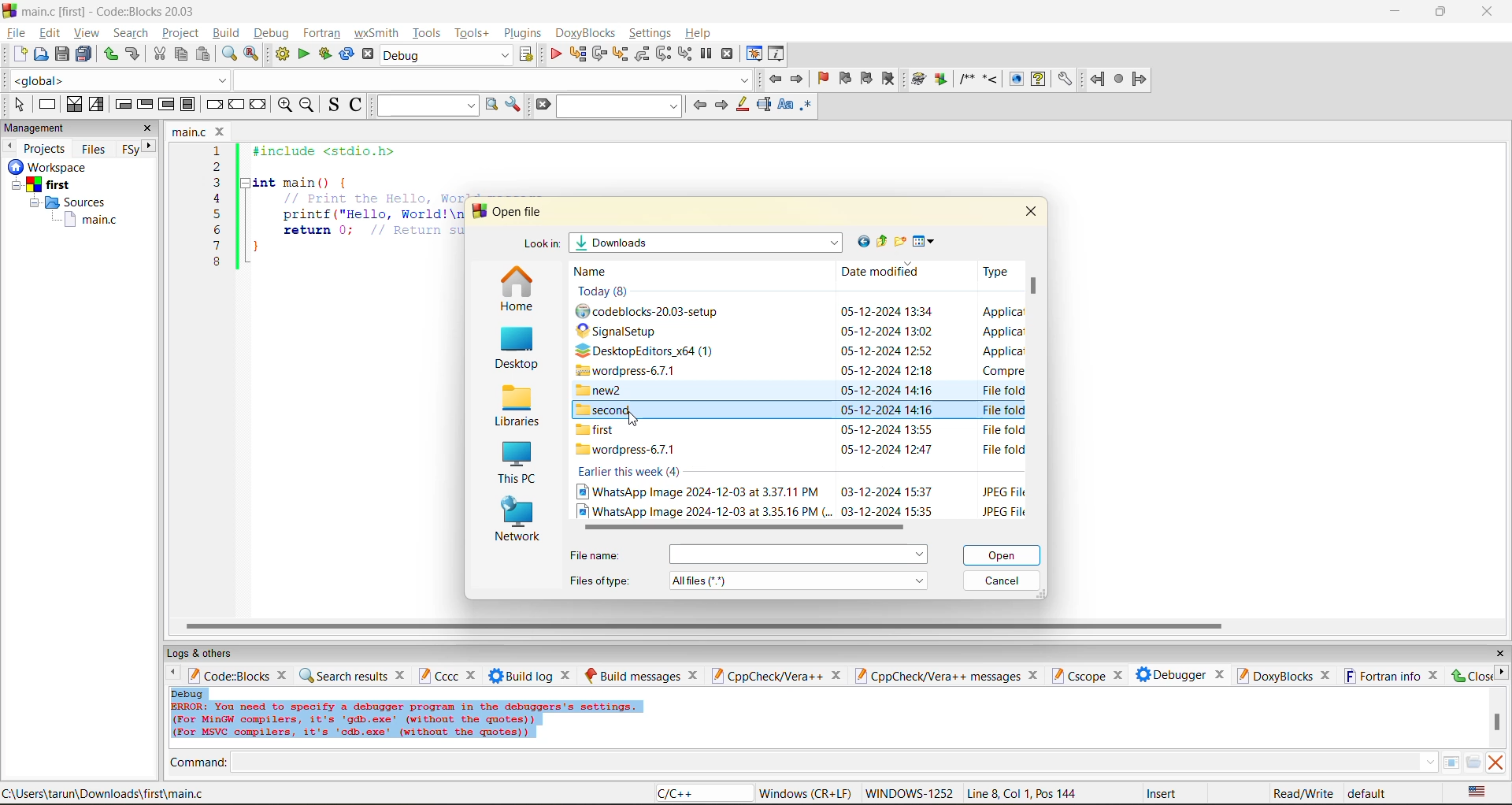 The width and height of the screenshot is (1512, 805). Describe the element at coordinates (910, 794) in the screenshot. I see `Windows 1252` at that location.